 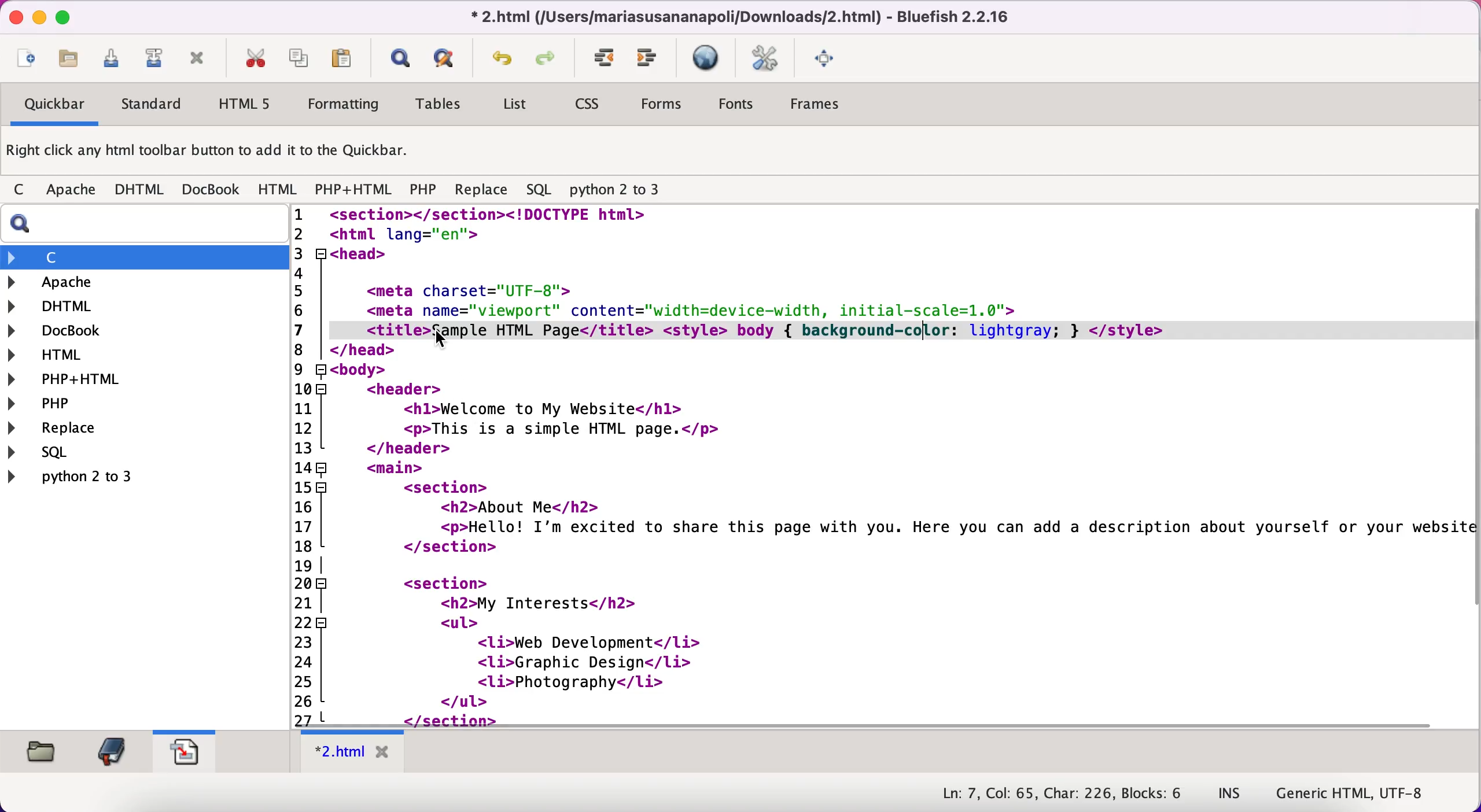 I want to click on apache, so click(x=73, y=192).